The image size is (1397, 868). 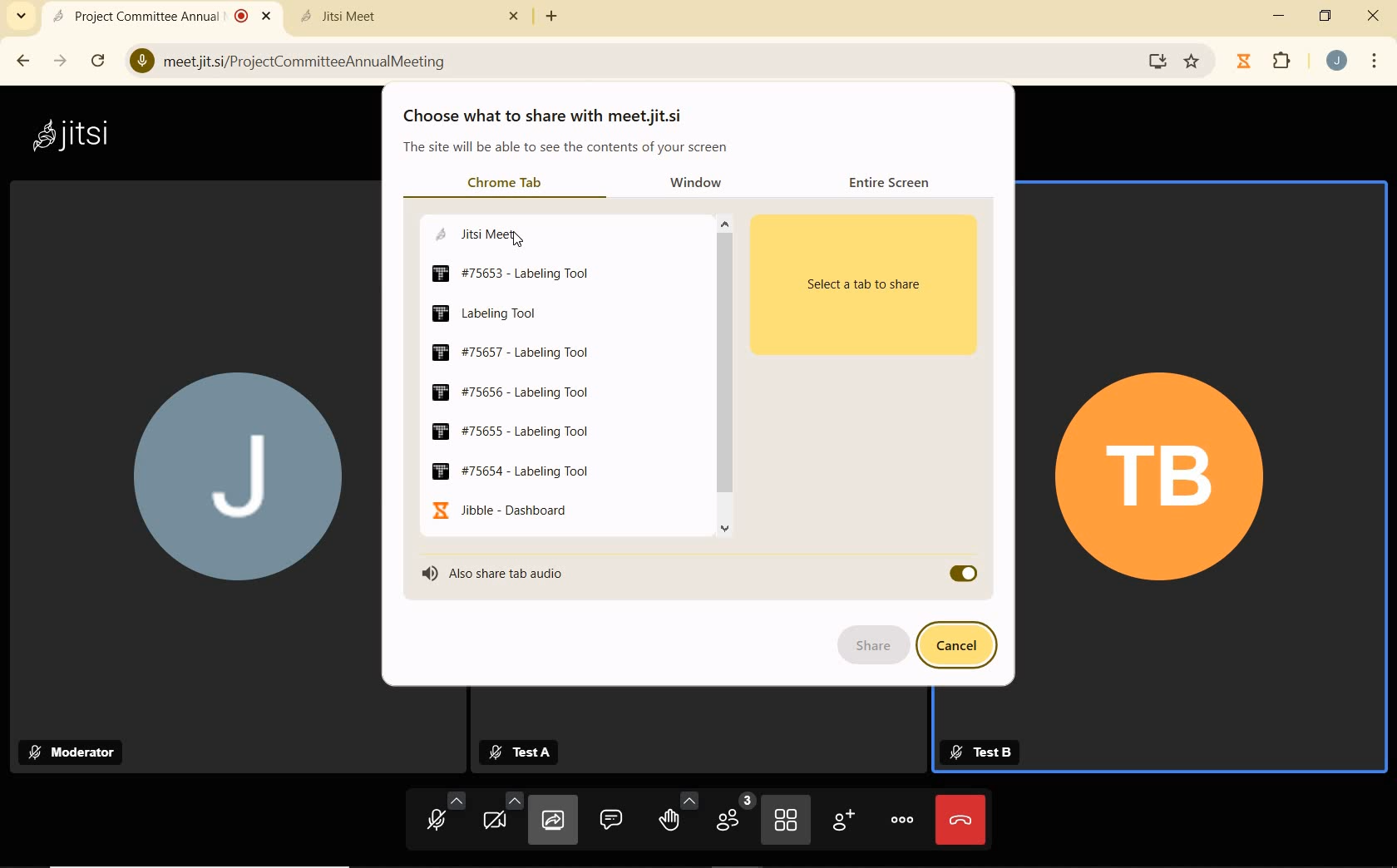 What do you see at coordinates (960, 819) in the screenshot?
I see `LEAVE MEETING` at bounding box center [960, 819].